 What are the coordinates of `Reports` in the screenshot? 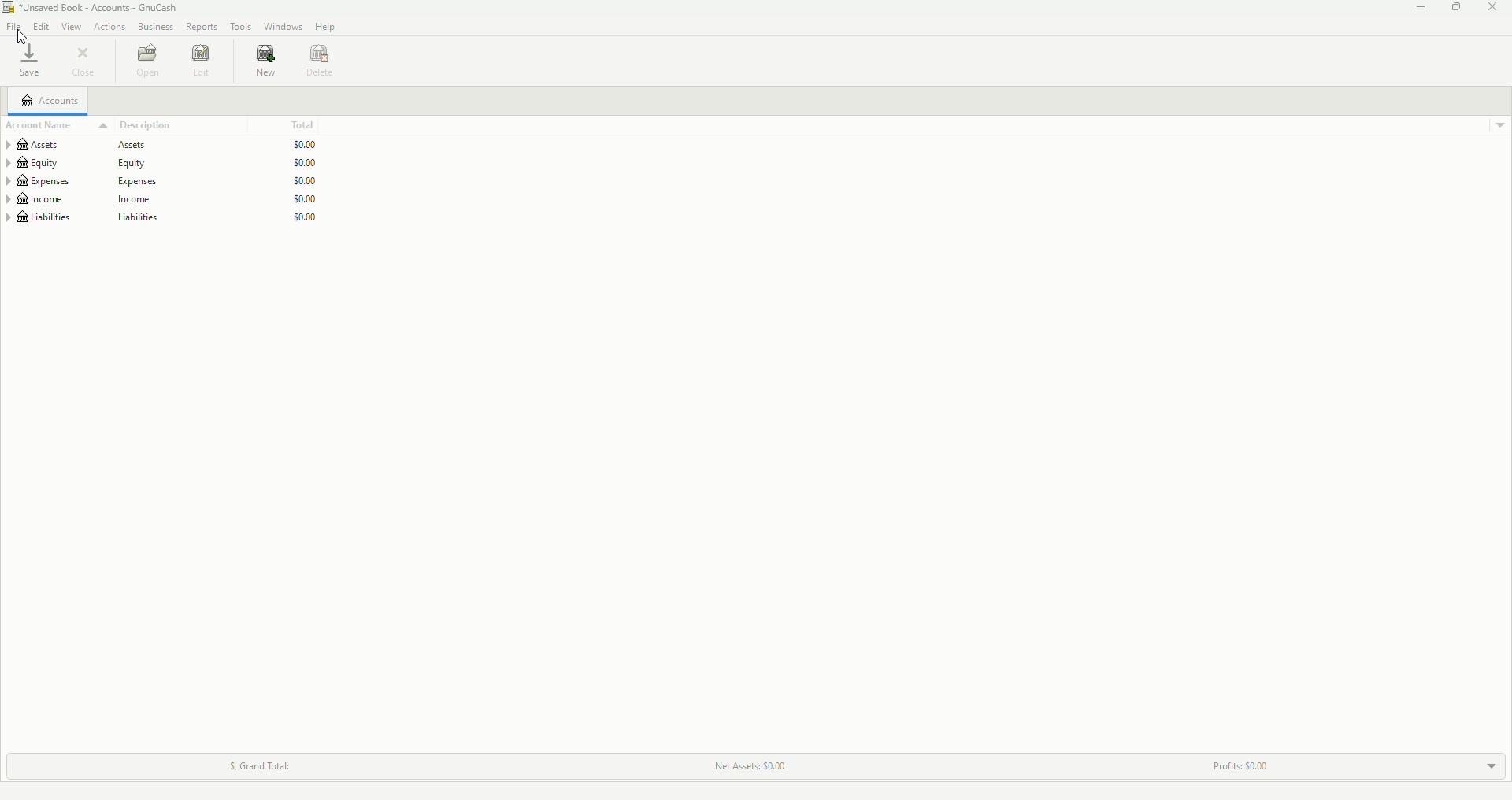 It's located at (202, 28).